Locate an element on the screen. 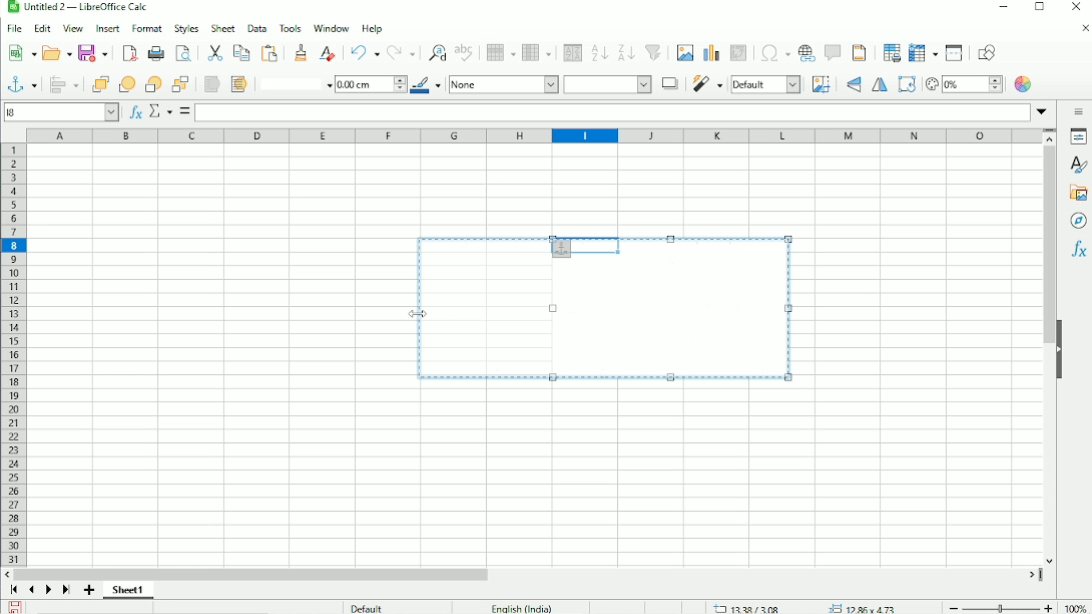  Flip vertically is located at coordinates (851, 85).